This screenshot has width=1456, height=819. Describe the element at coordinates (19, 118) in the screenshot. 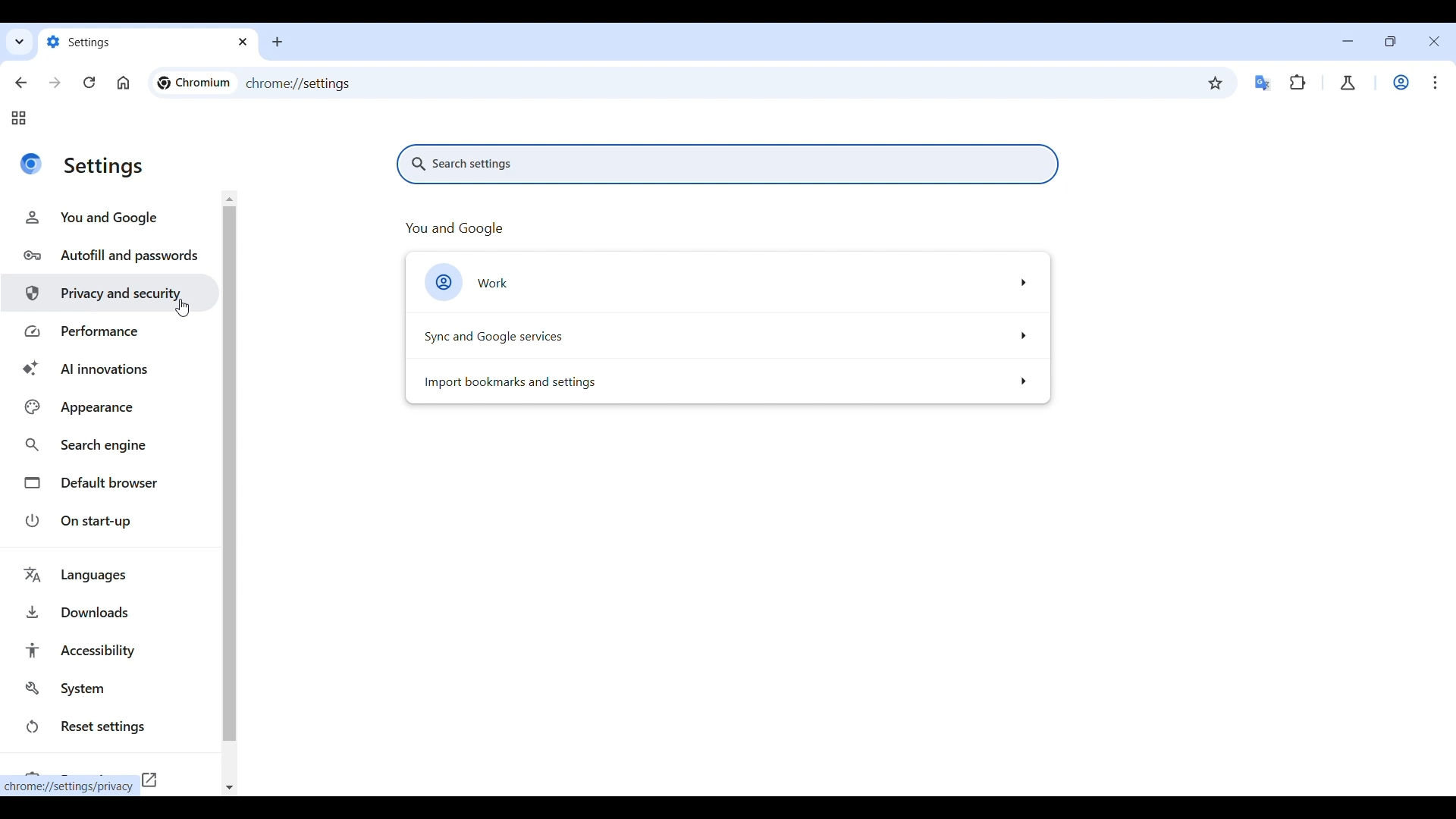

I see `Tab groups ` at that location.